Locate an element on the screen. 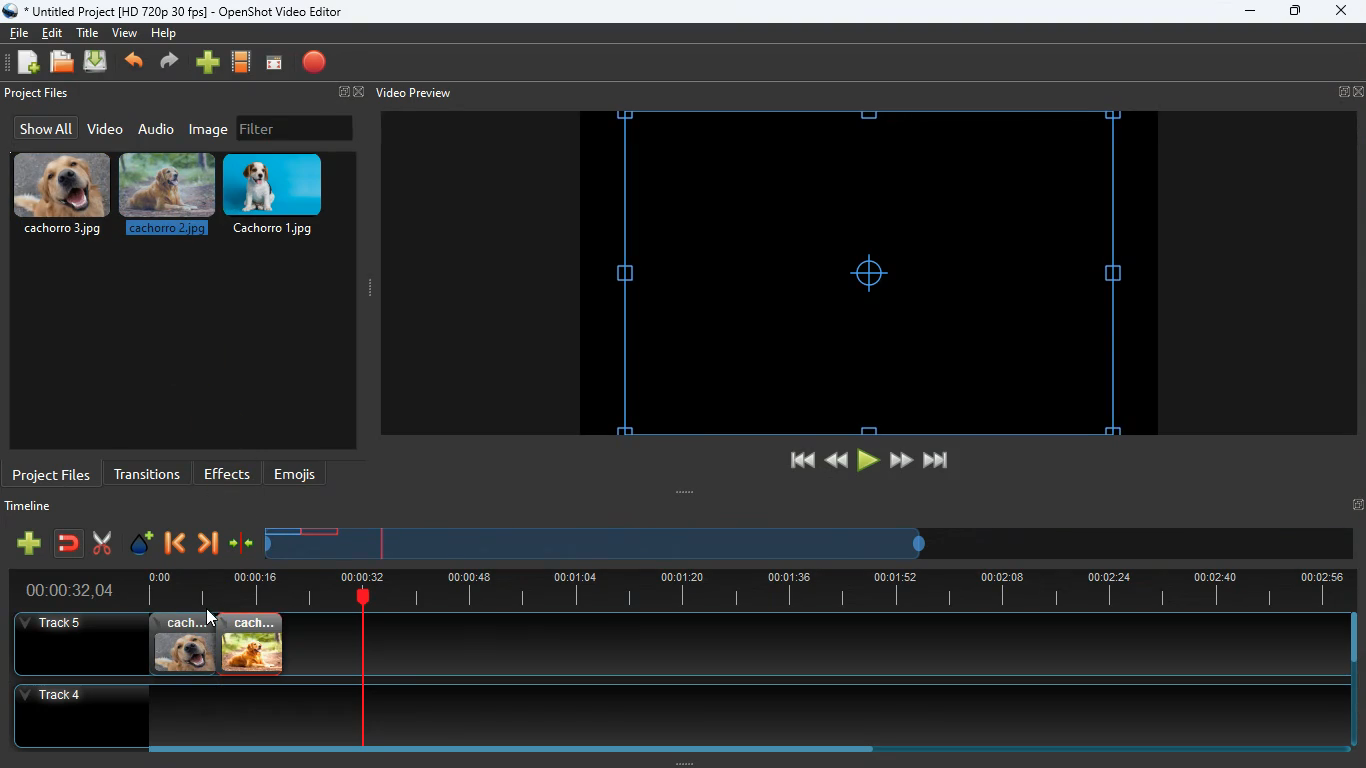  timeline is located at coordinates (740, 590).